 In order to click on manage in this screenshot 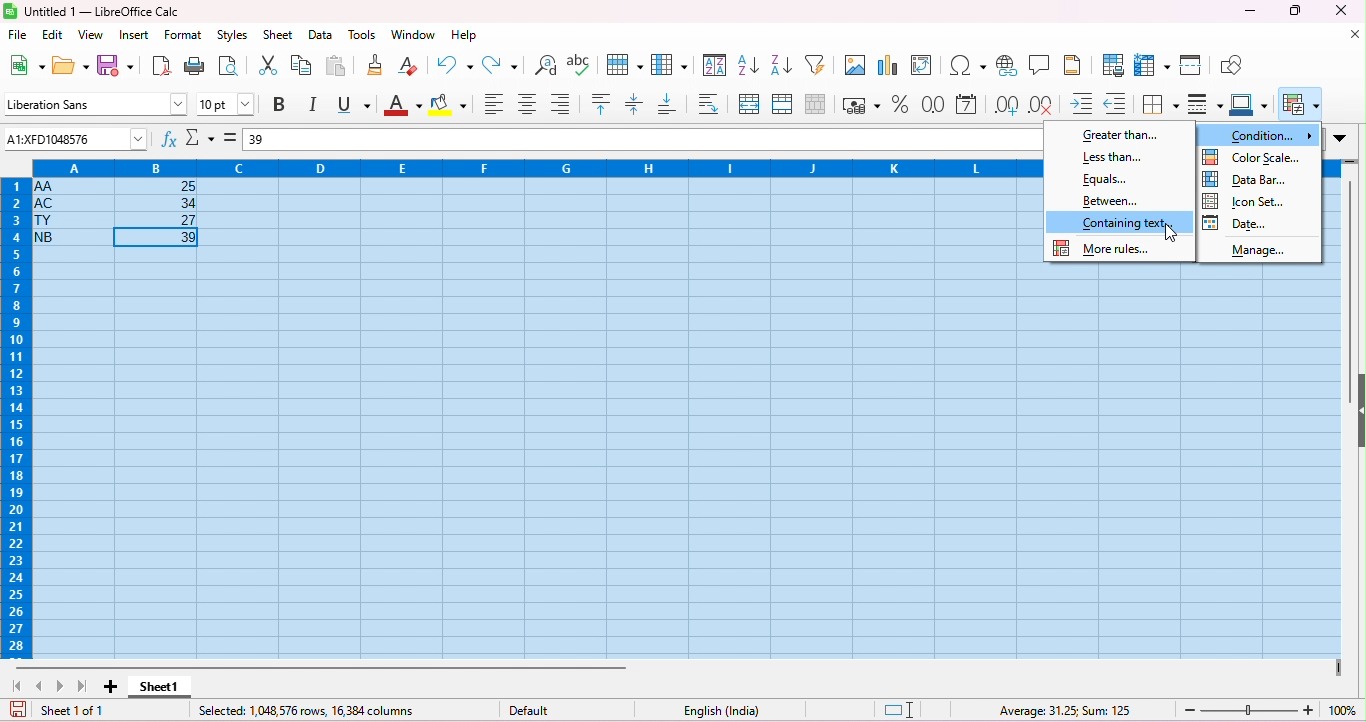, I will do `click(1262, 249)`.